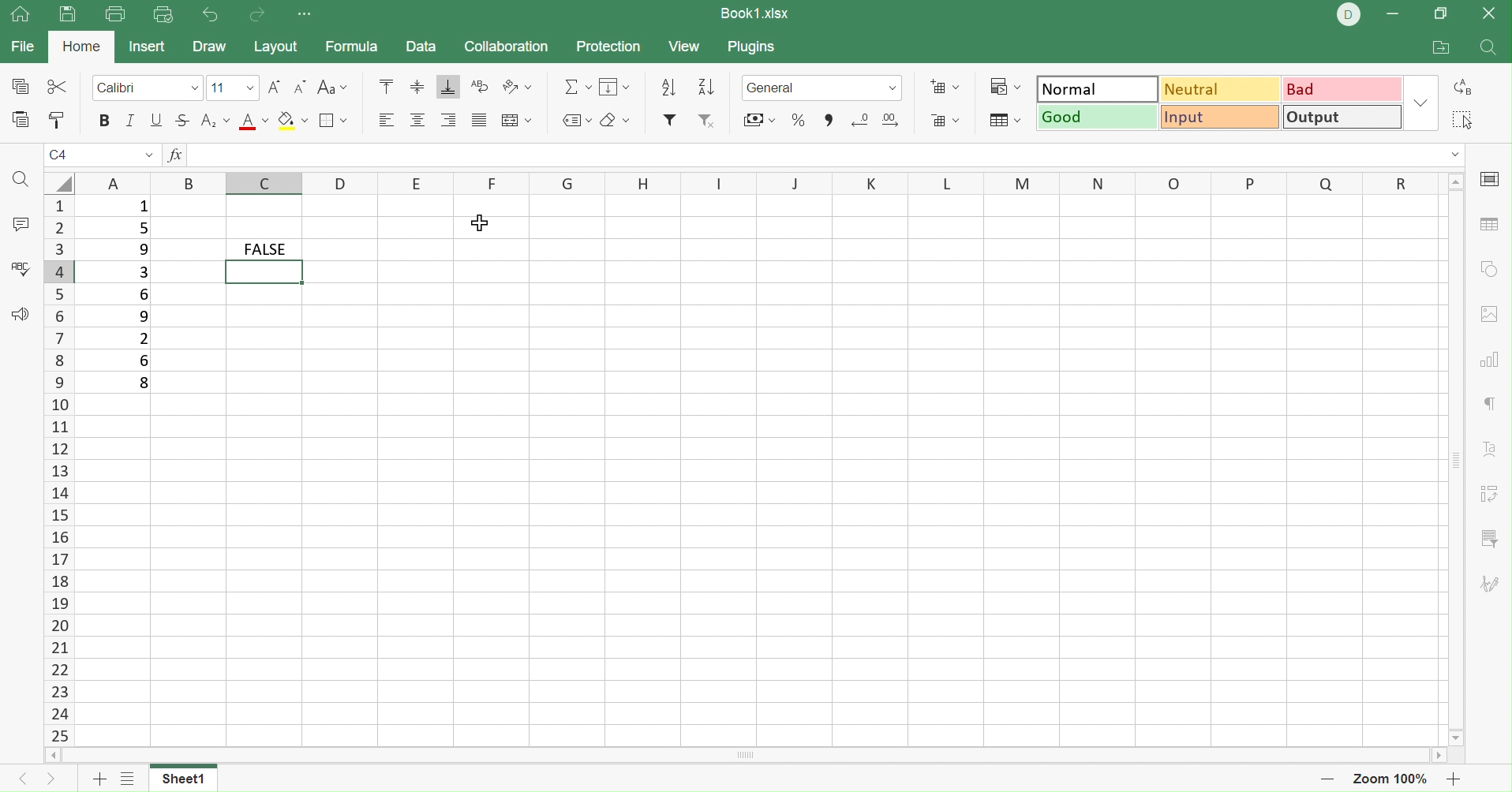 This screenshot has height=792, width=1512. What do you see at coordinates (1491, 271) in the screenshot?
I see `Shape settings` at bounding box center [1491, 271].